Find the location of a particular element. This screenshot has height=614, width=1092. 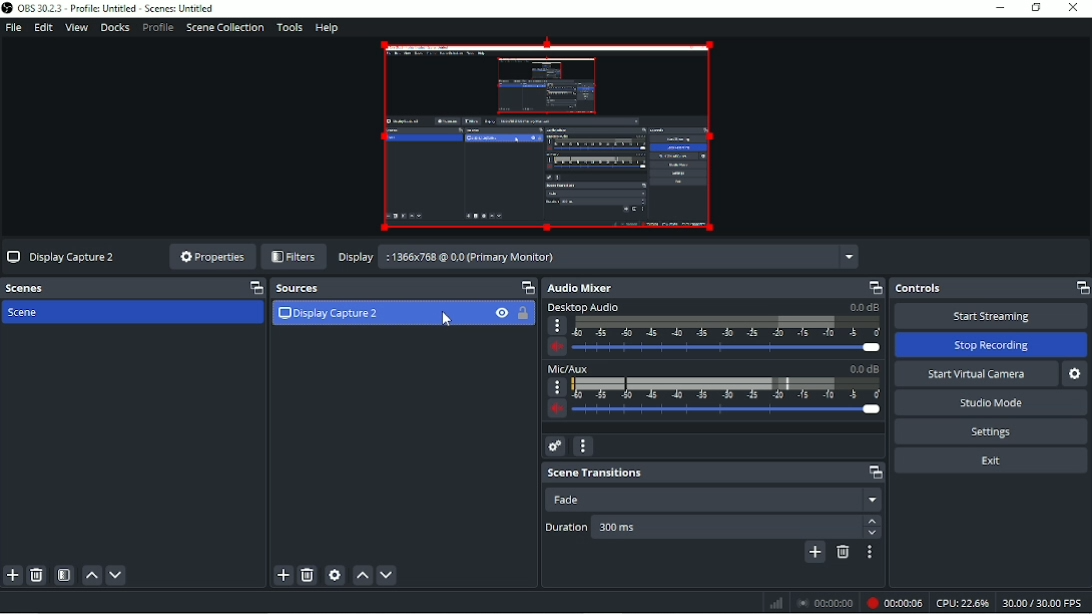

Move scene down is located at coordinates (116, 576).